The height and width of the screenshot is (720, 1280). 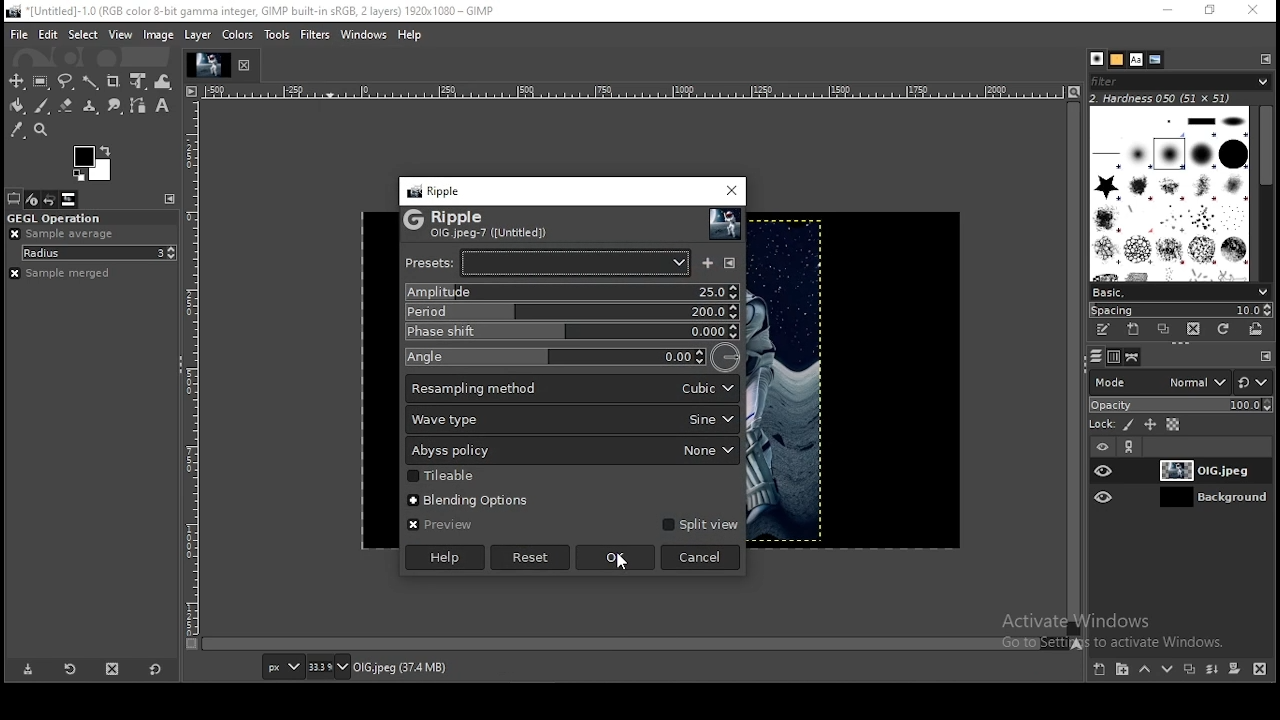 I want to click on create a duplicate of the layer and insert it to the image, so click(x=1192, y=668).